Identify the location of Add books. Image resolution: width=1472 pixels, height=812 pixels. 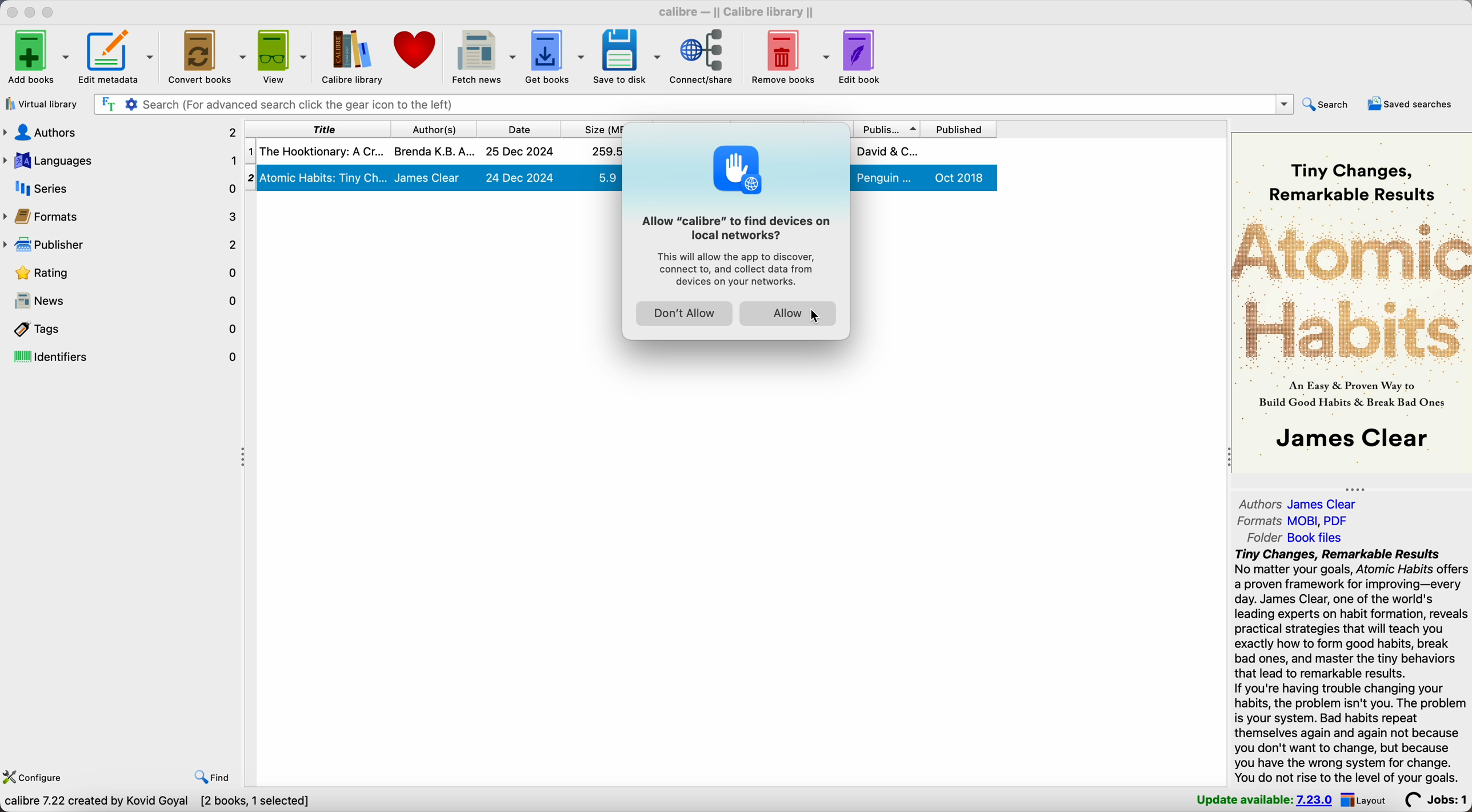
(38, 56).